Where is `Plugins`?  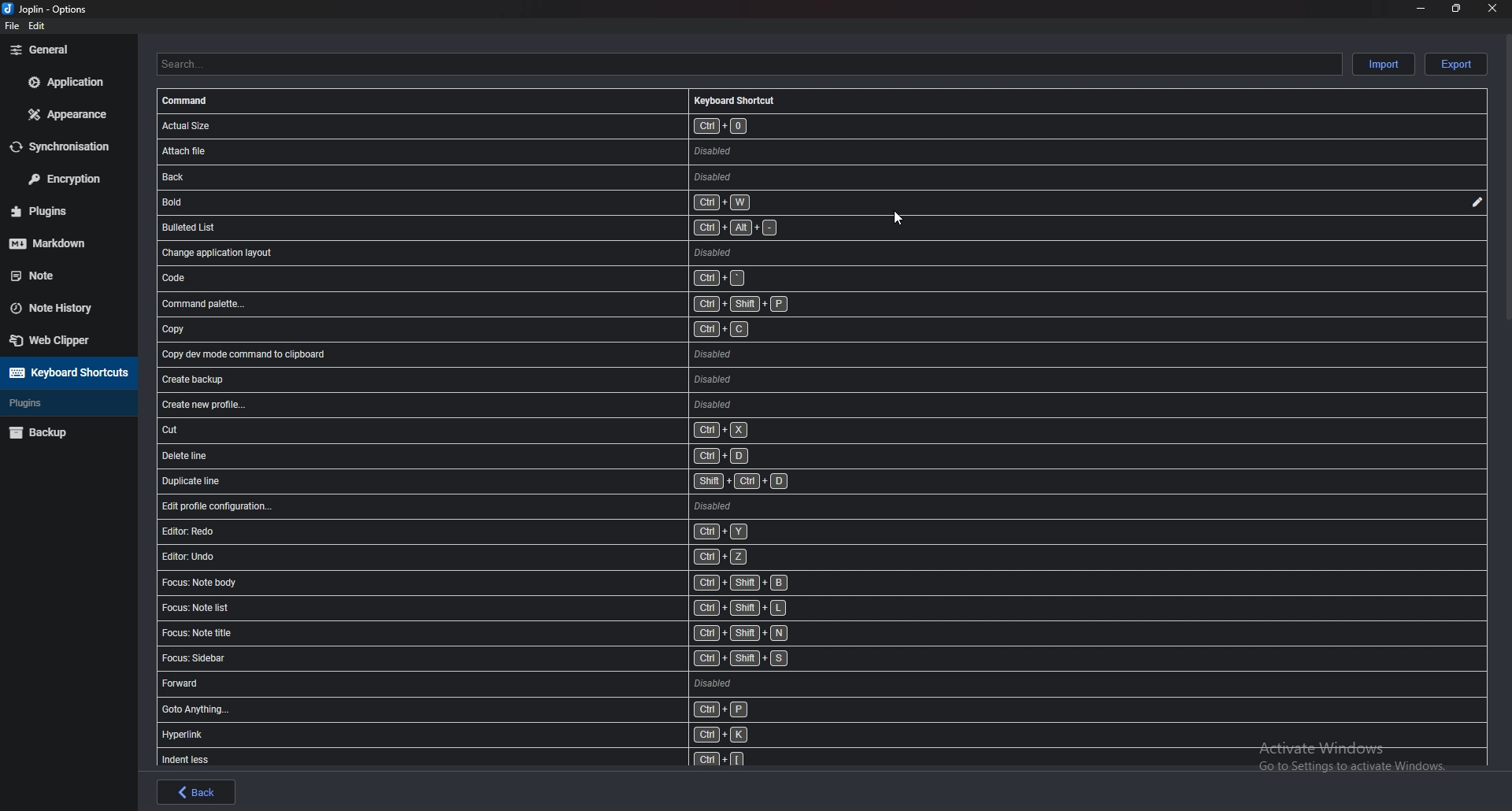
Plugins is located at coordinates (57, 211).